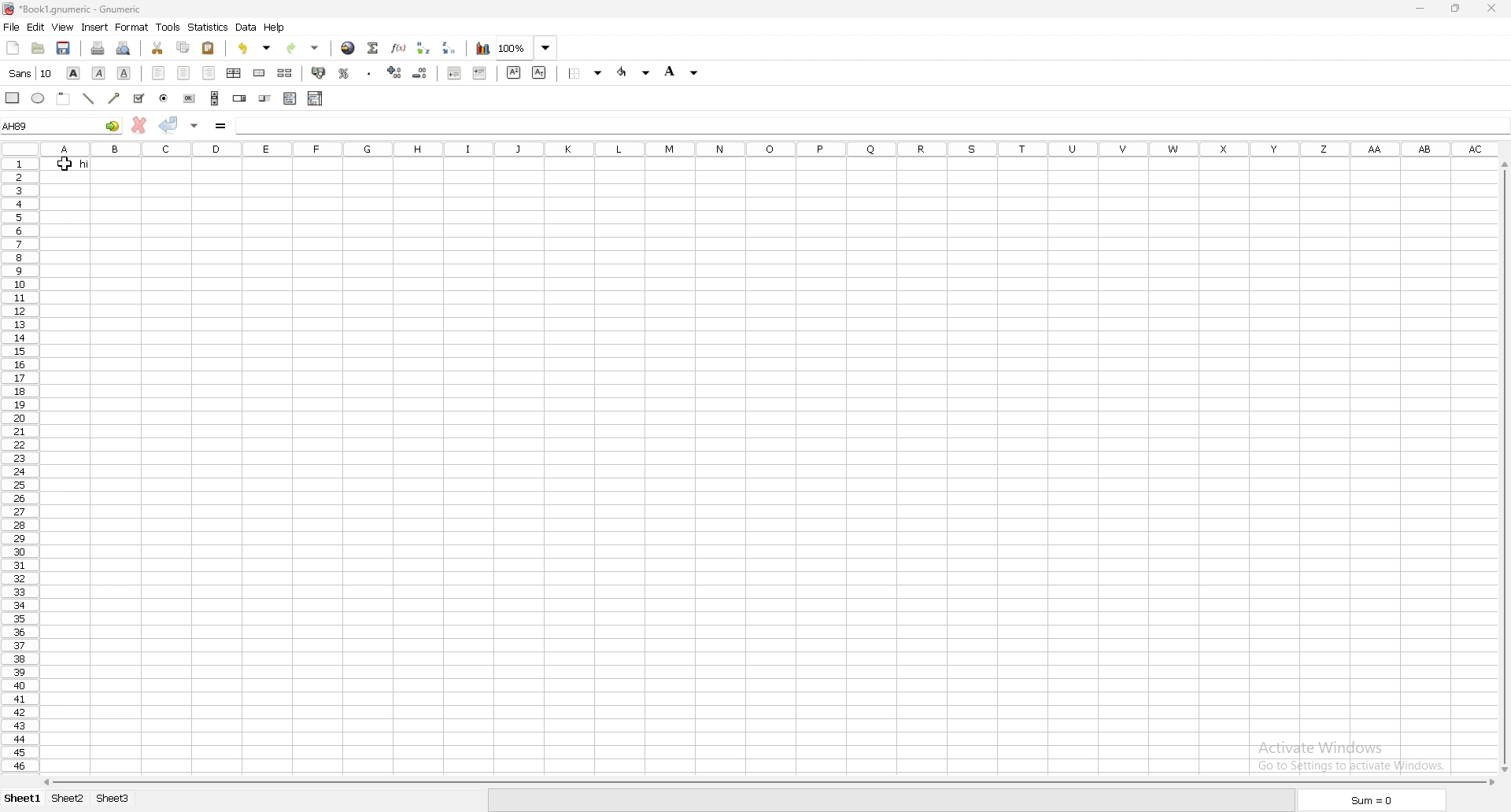  I want to click on align left, so click(158, 74).